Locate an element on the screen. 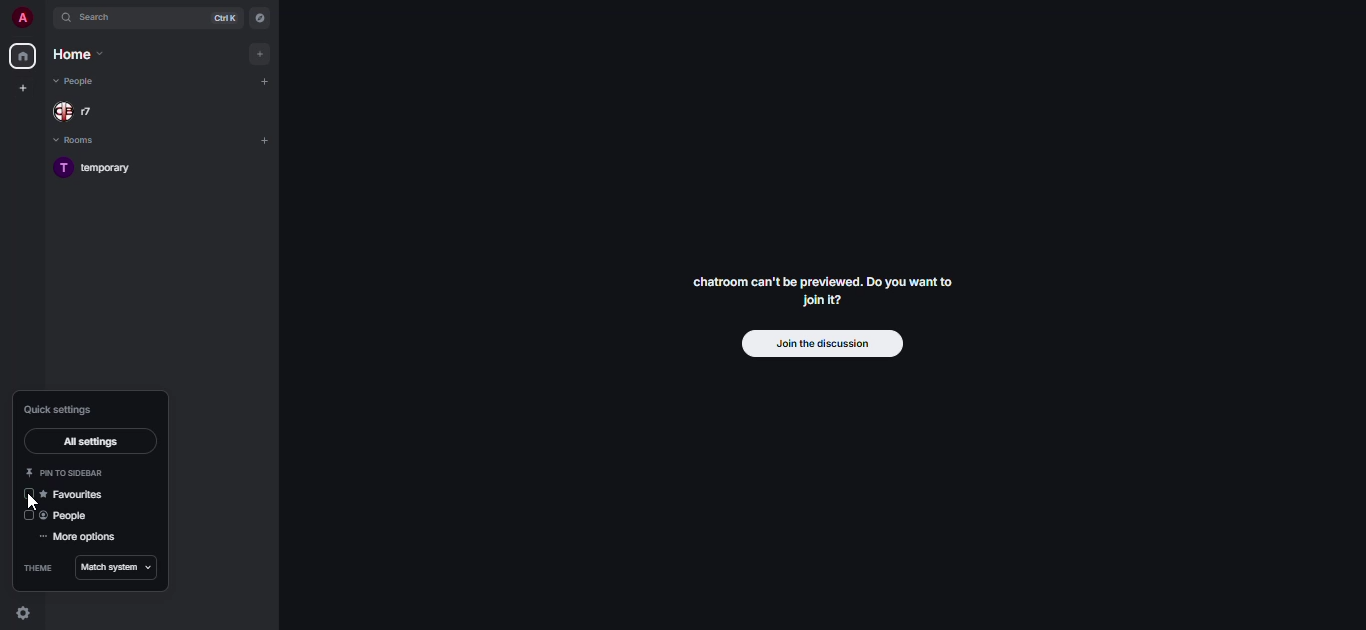 This screenshot has width=1366, height=630. people is located at coordinates (82, 111).